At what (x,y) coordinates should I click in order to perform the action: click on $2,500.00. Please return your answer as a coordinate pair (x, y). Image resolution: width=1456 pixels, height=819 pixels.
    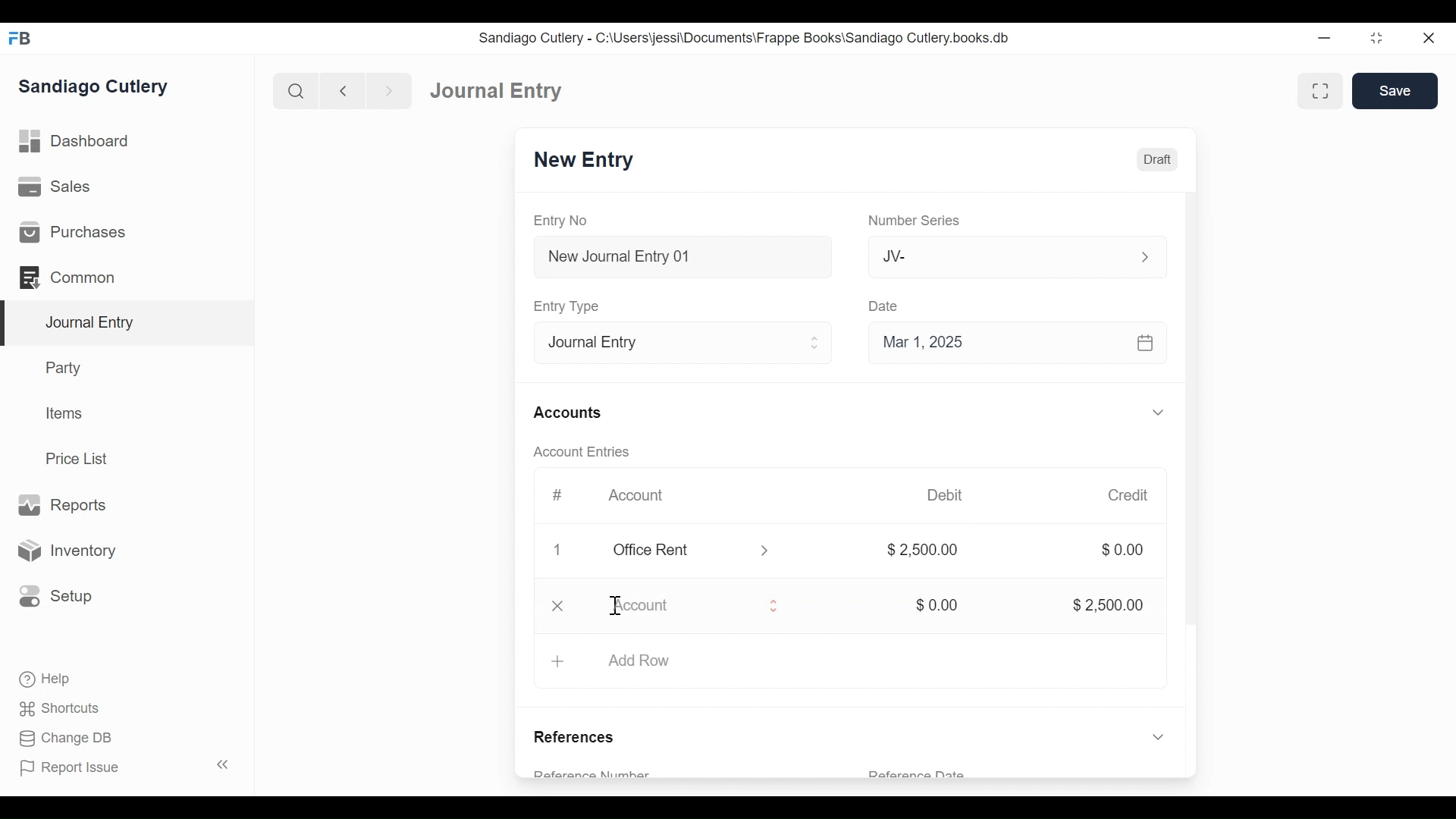
    Looking at the image, I should click on (1099, 604).